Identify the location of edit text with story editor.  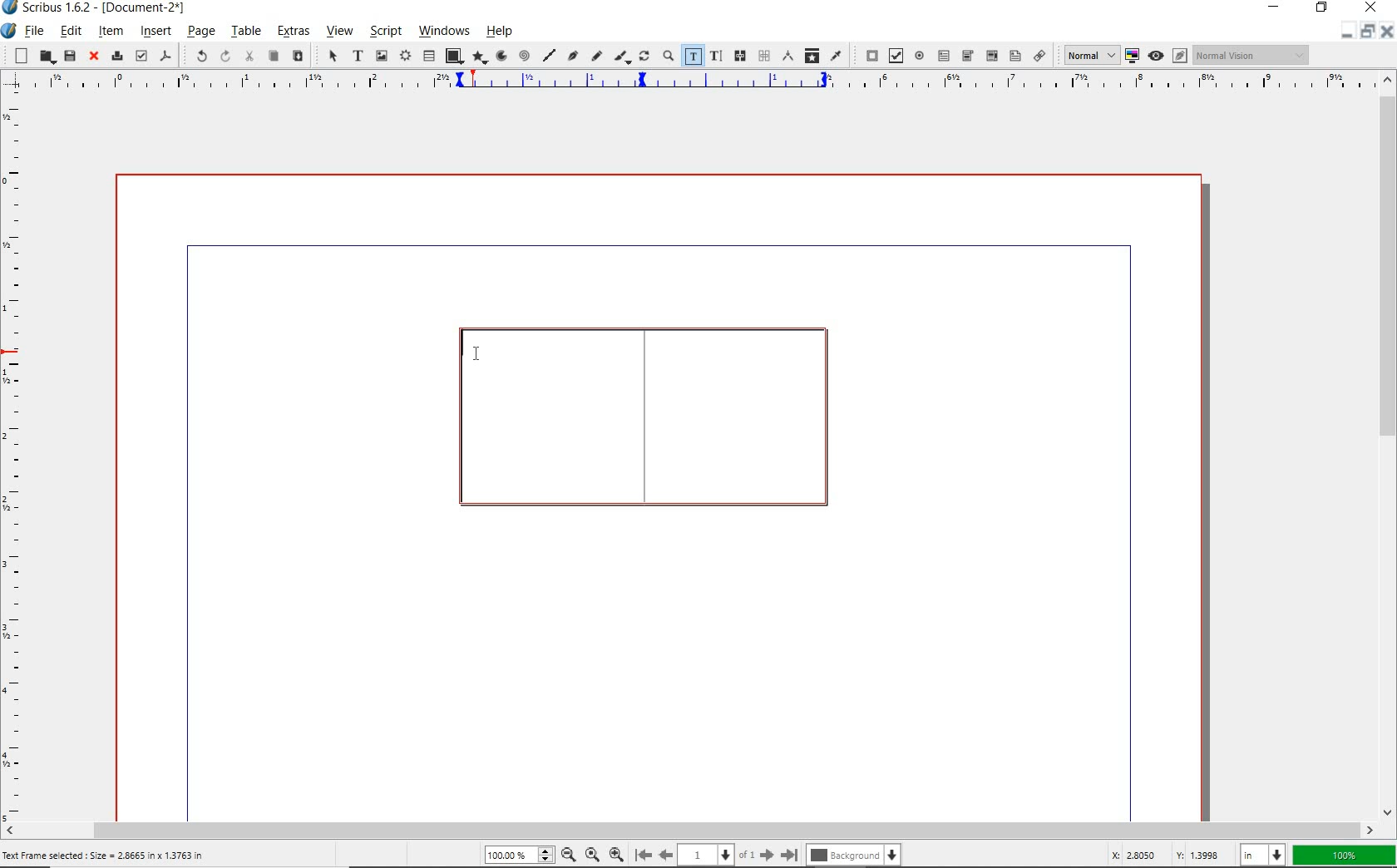
(715, 57).